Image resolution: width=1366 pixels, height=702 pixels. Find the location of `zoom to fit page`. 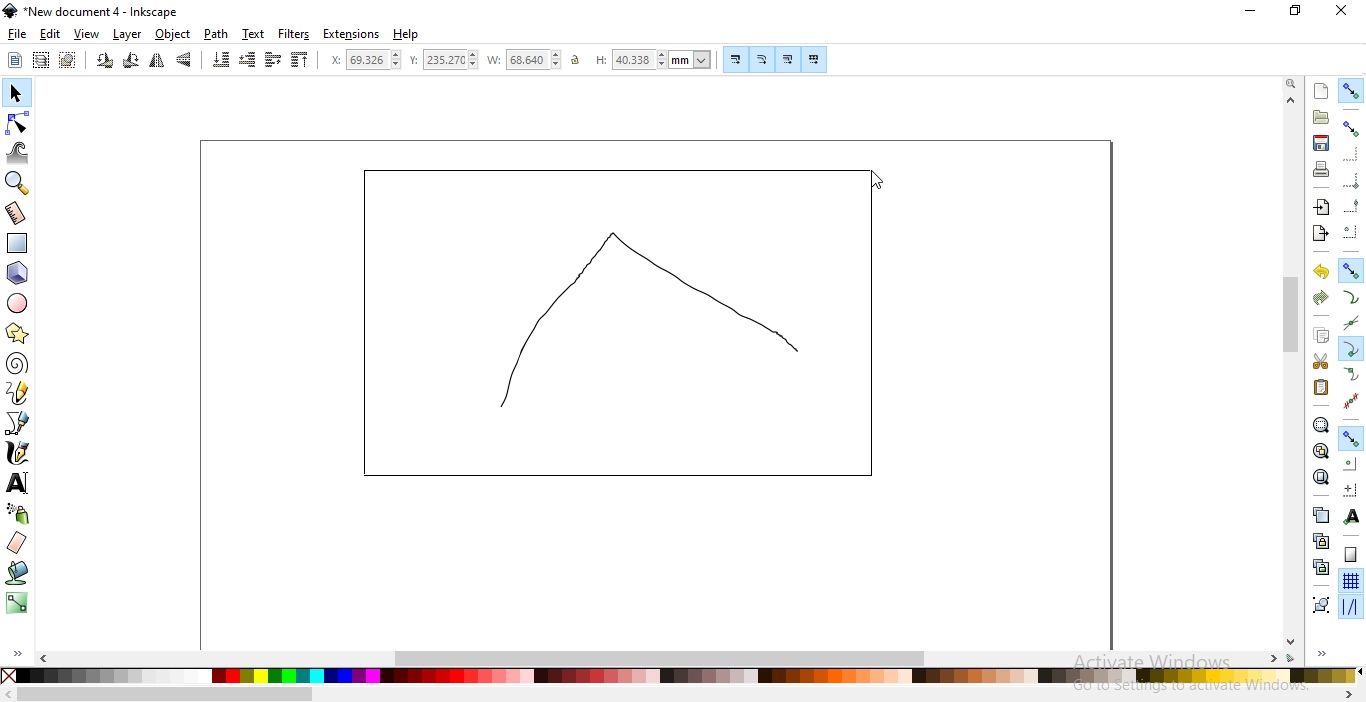

zoom to fit page is located at coordinates (1320, 477).